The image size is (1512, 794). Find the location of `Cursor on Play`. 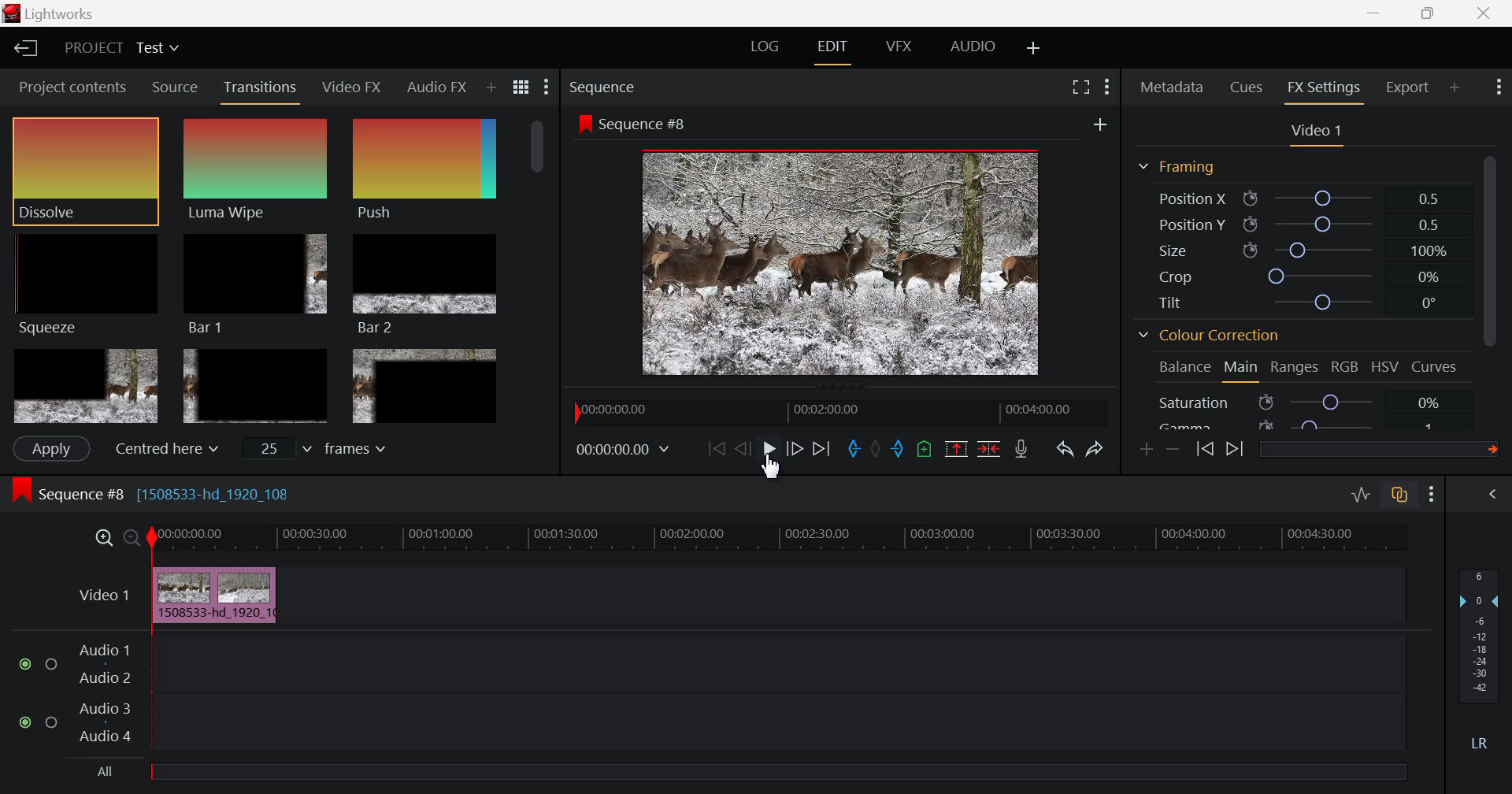

Cursor on Play is located at coordinates (769, 453).